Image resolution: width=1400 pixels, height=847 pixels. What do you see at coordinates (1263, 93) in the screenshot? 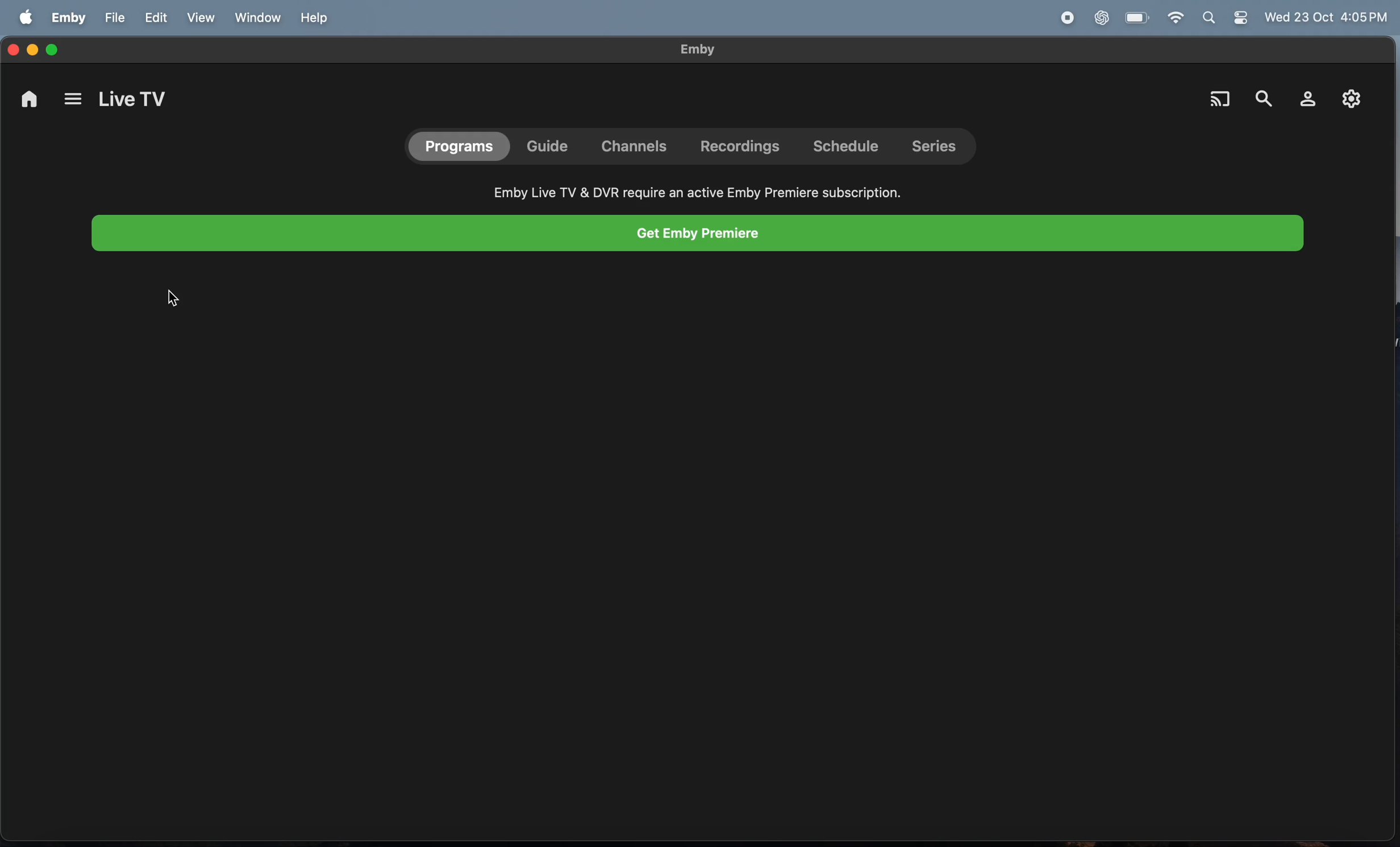
I see `search` at bounding box center [1263, 93].